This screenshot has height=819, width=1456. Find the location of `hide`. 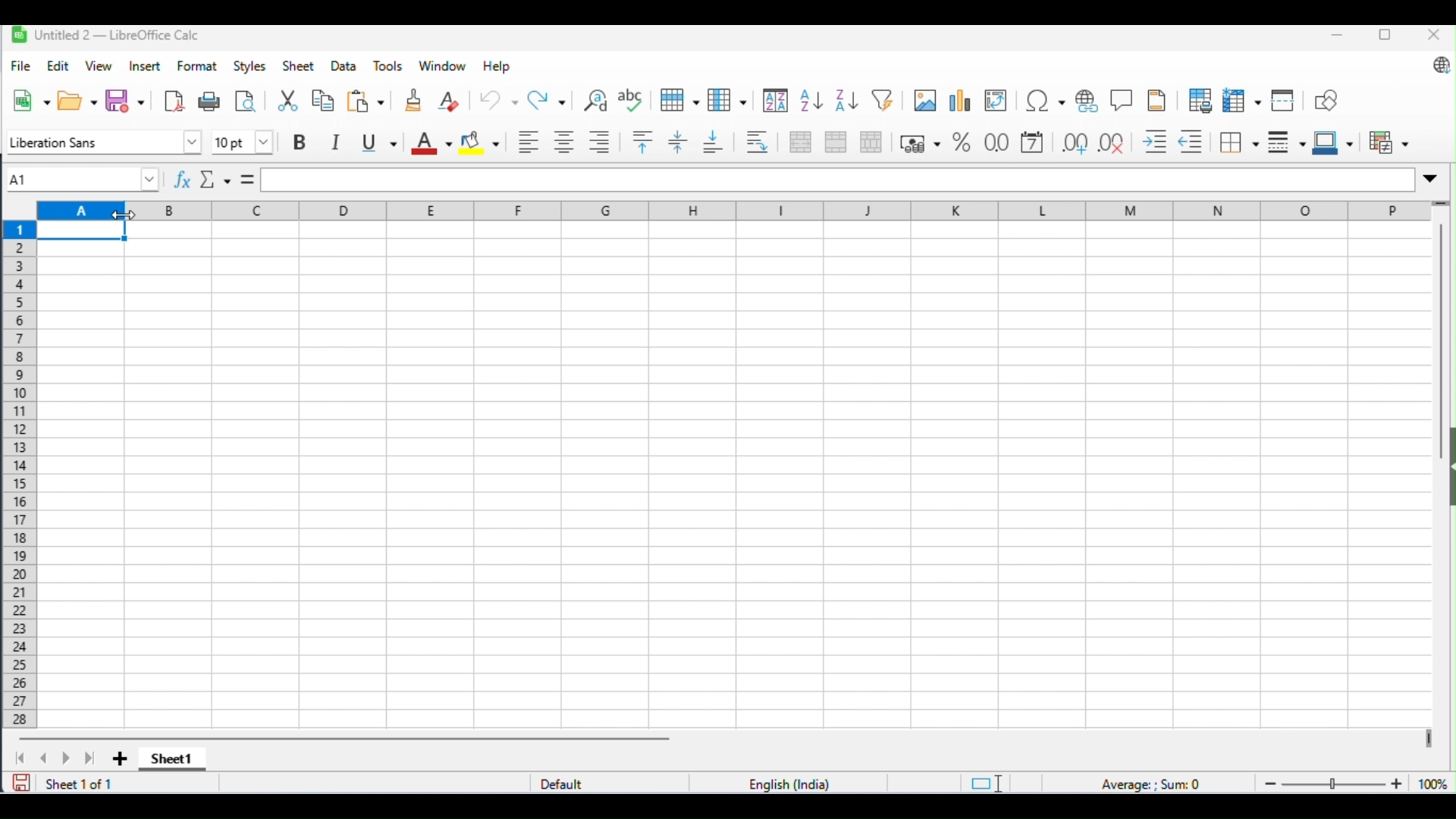

hide is located at coordinates (1447, 469).